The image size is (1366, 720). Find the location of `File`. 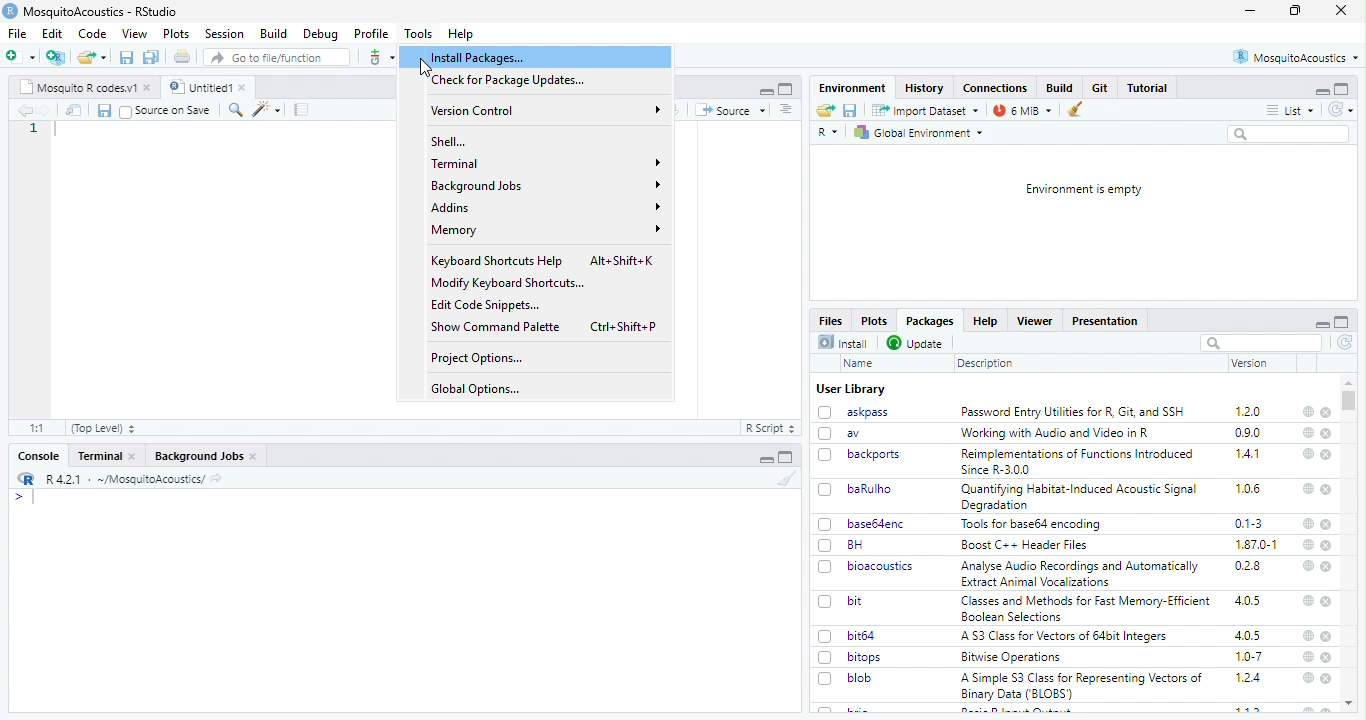

File is located at coordinates (19, 34).